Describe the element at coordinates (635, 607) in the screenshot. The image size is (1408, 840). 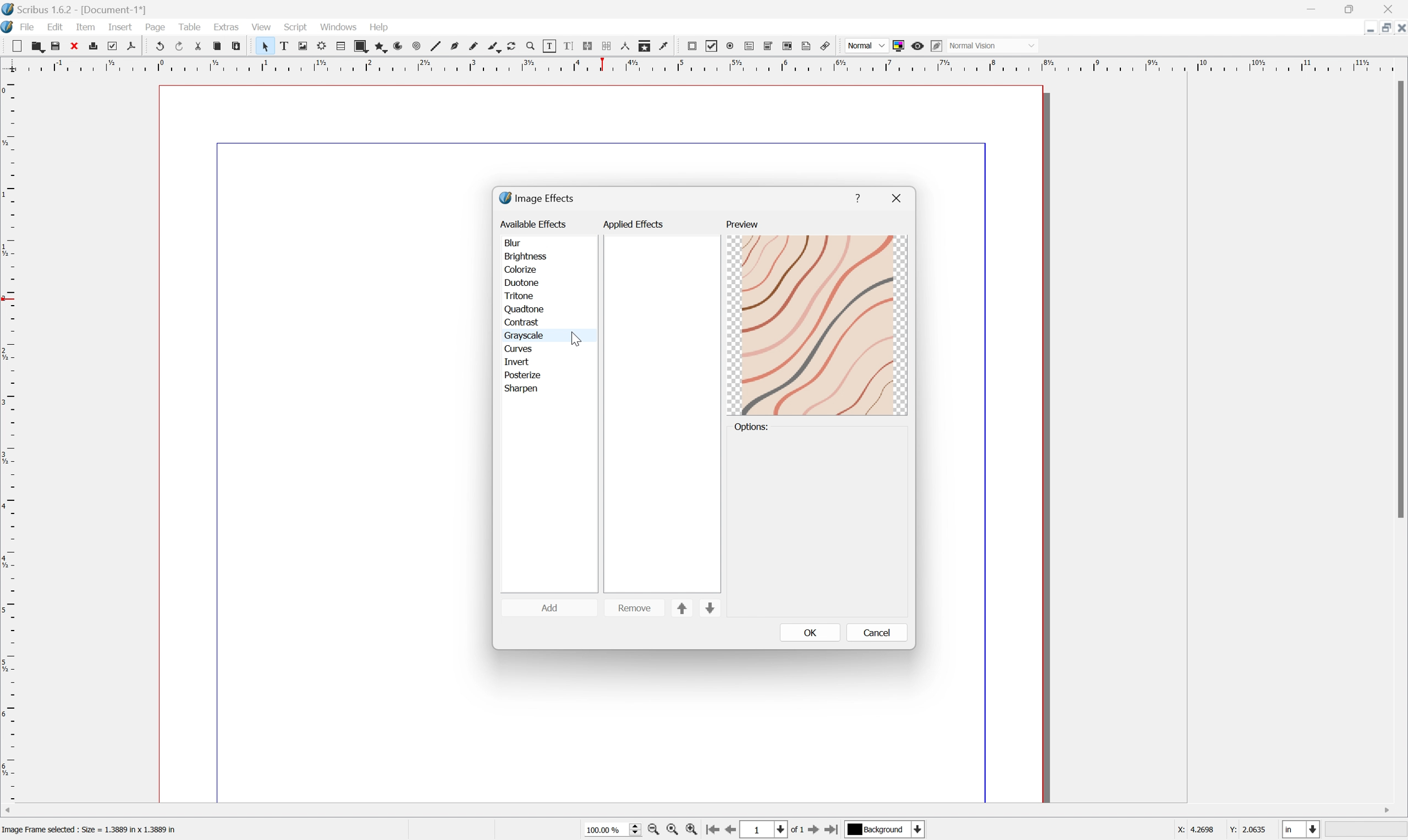
I see `remove` at that location.